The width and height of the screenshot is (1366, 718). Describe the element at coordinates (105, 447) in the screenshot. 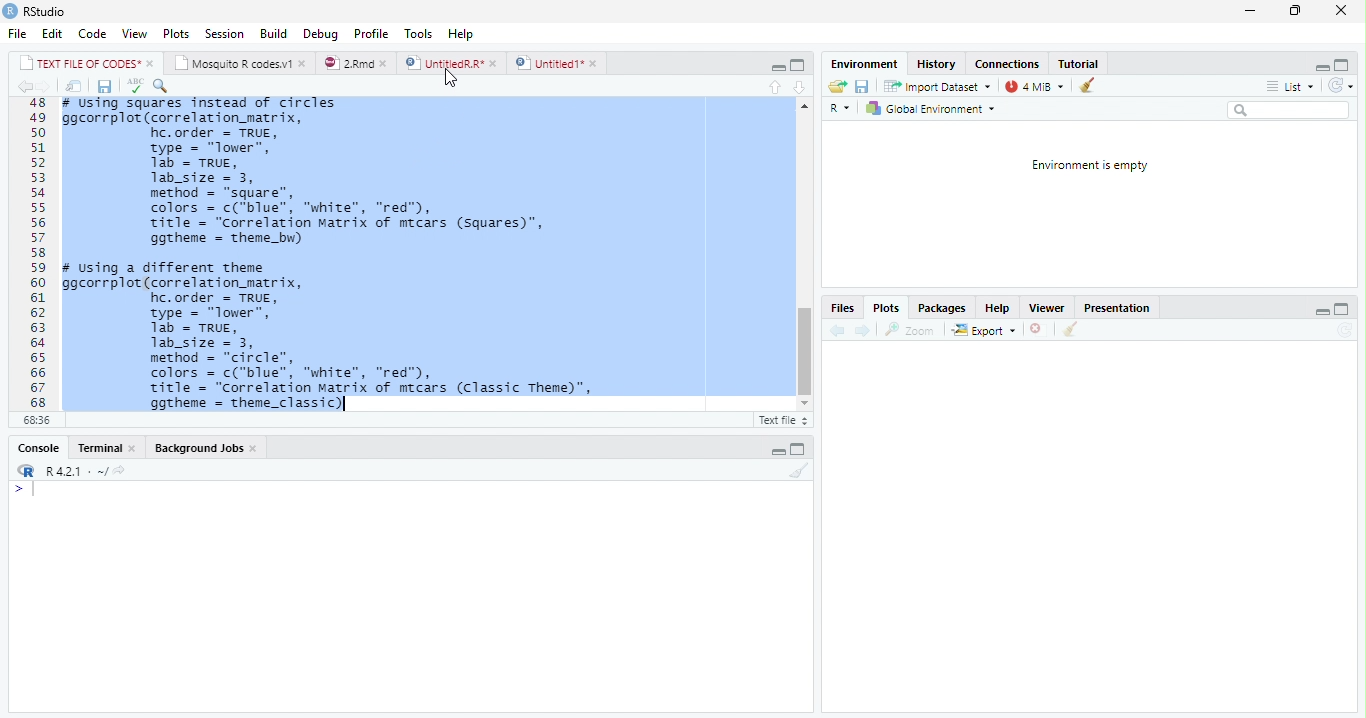

I see `Terminal` at that location.